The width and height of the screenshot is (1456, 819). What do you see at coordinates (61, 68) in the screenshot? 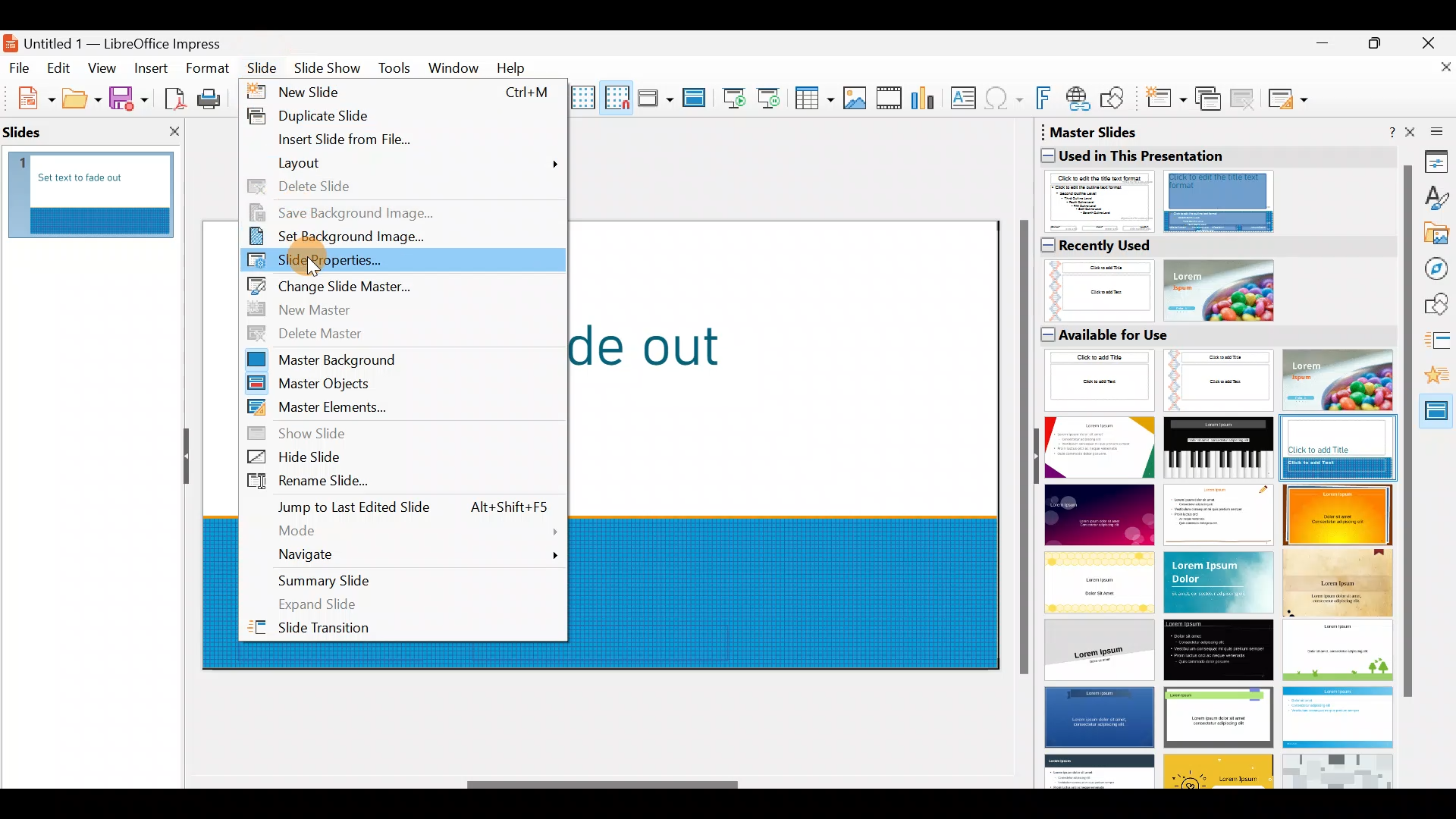
I see `Edit` at bounding box center [61, 68].